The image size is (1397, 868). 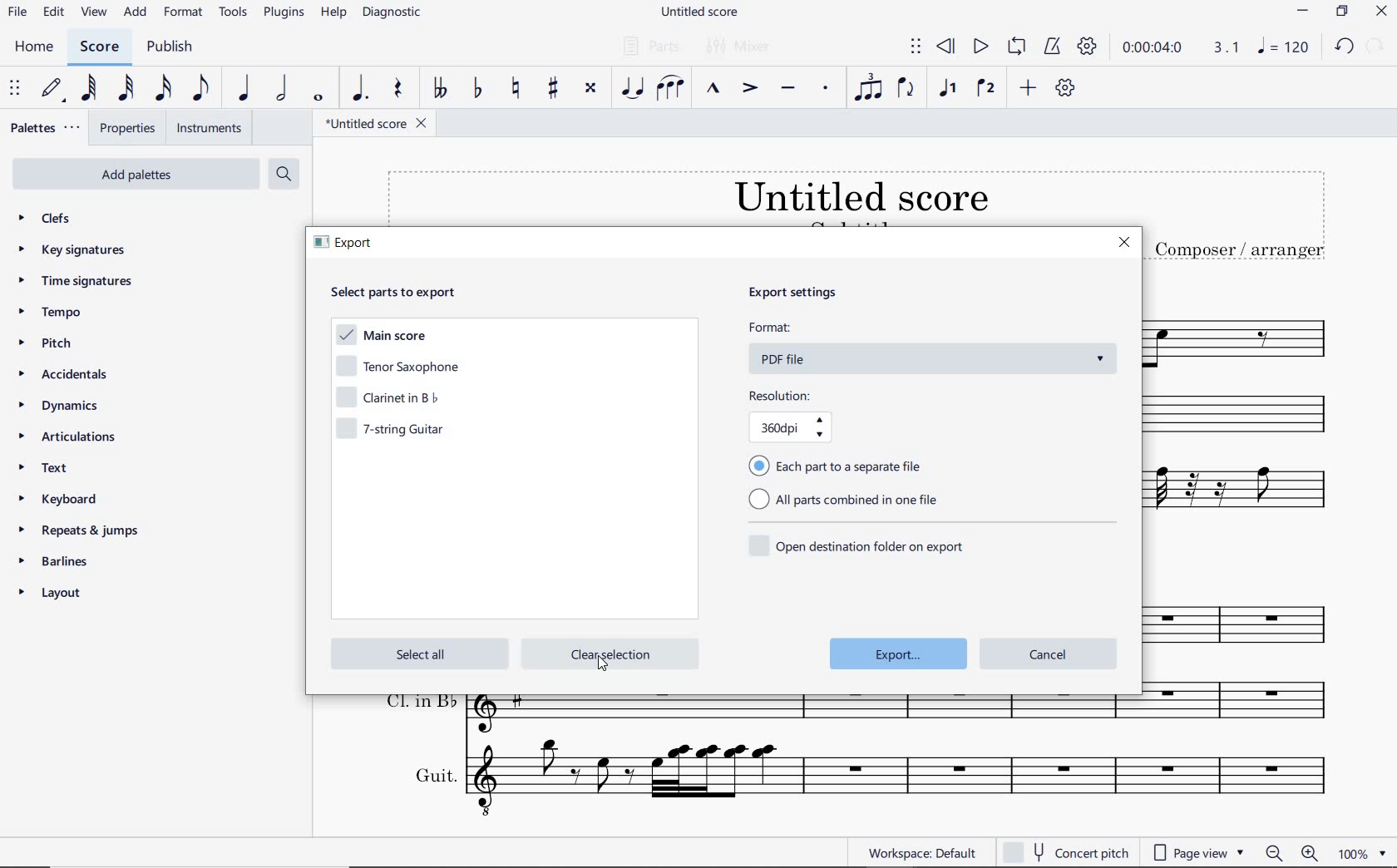 What do you see at coordinates (1341, 12) in the screenshot?
I see `RESTORE DOWN` at bounding box center [1341, 12].